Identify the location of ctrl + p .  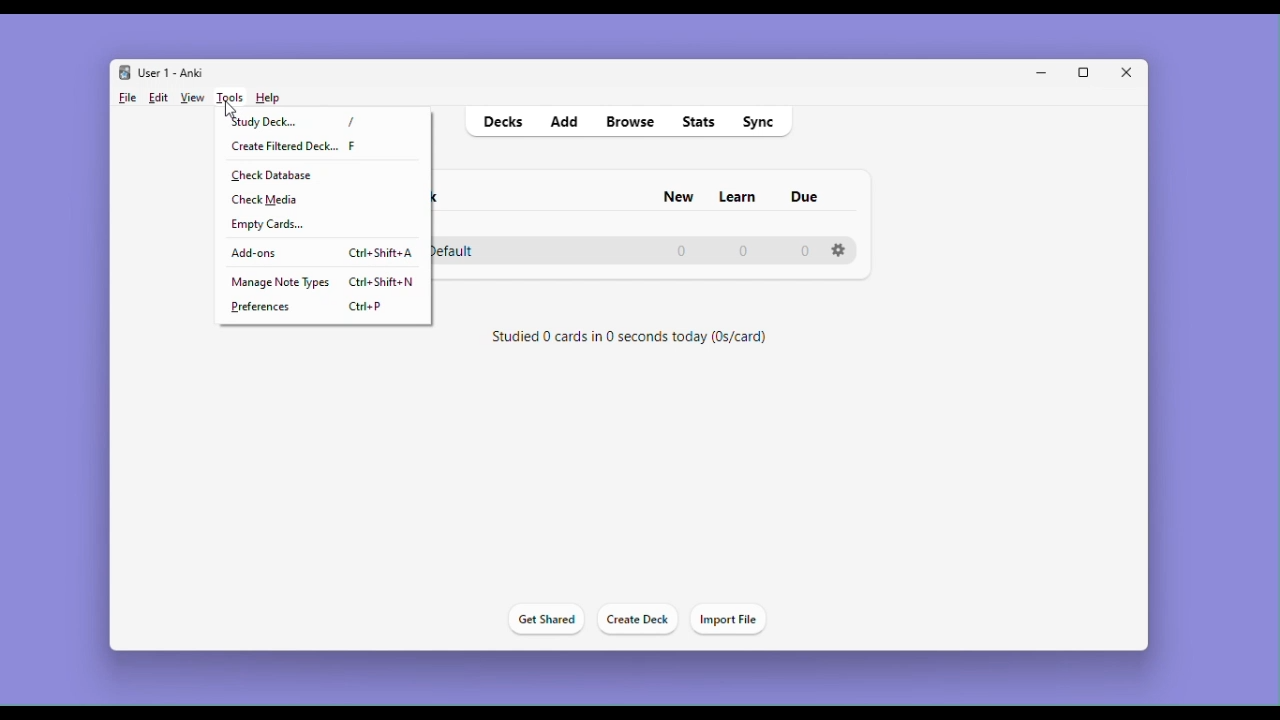
(367, 307).